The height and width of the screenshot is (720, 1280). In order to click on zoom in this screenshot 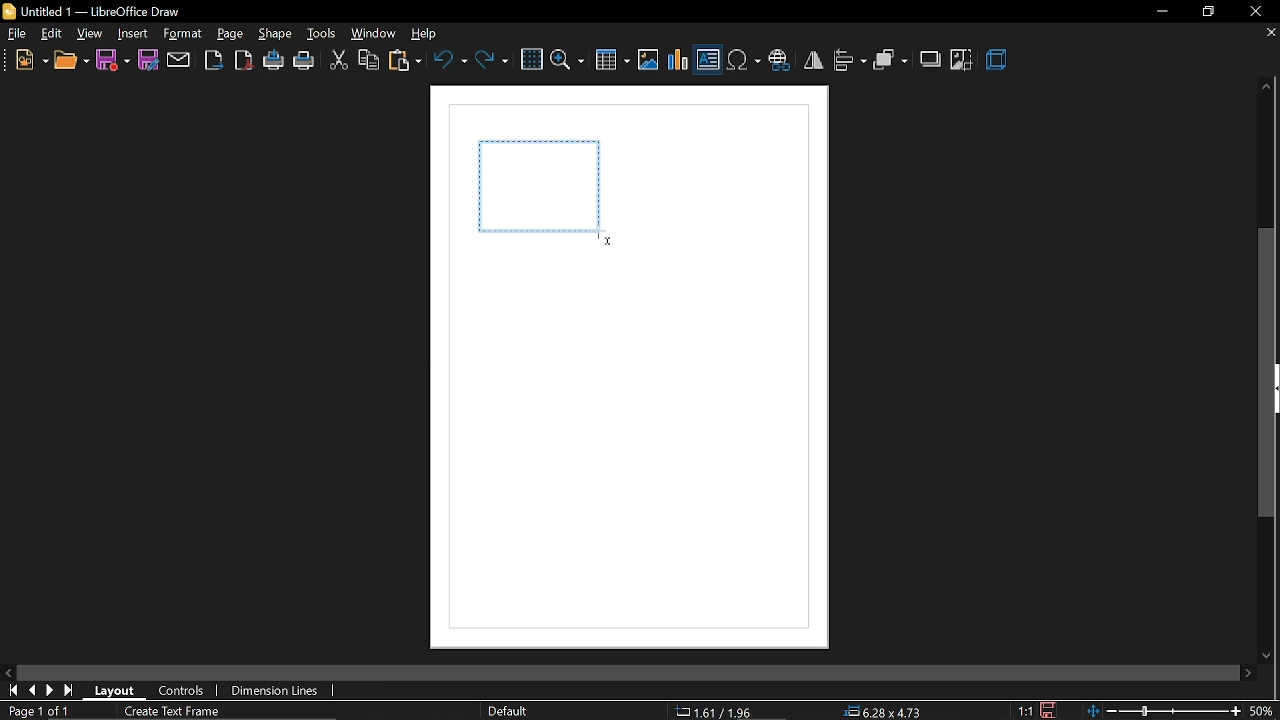, I will do `click(568, 59)`.